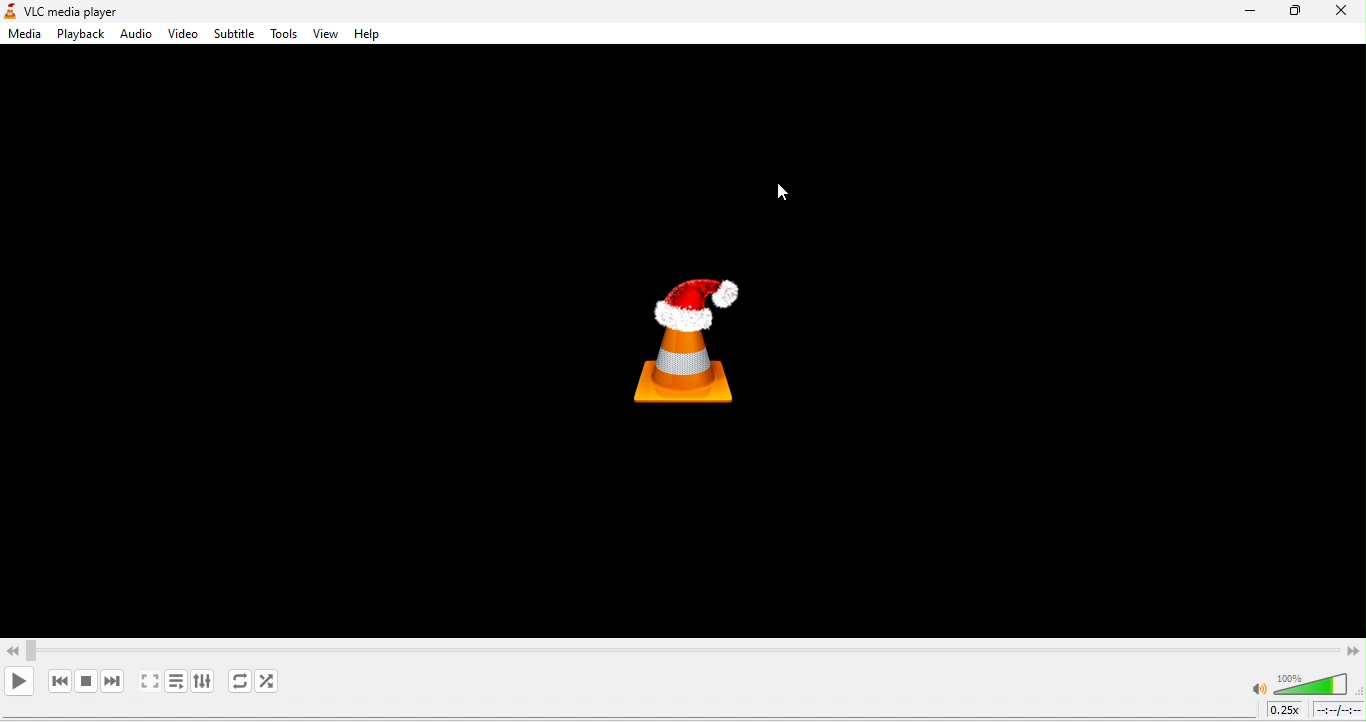  I want to click on volume, so click(1298, 684).